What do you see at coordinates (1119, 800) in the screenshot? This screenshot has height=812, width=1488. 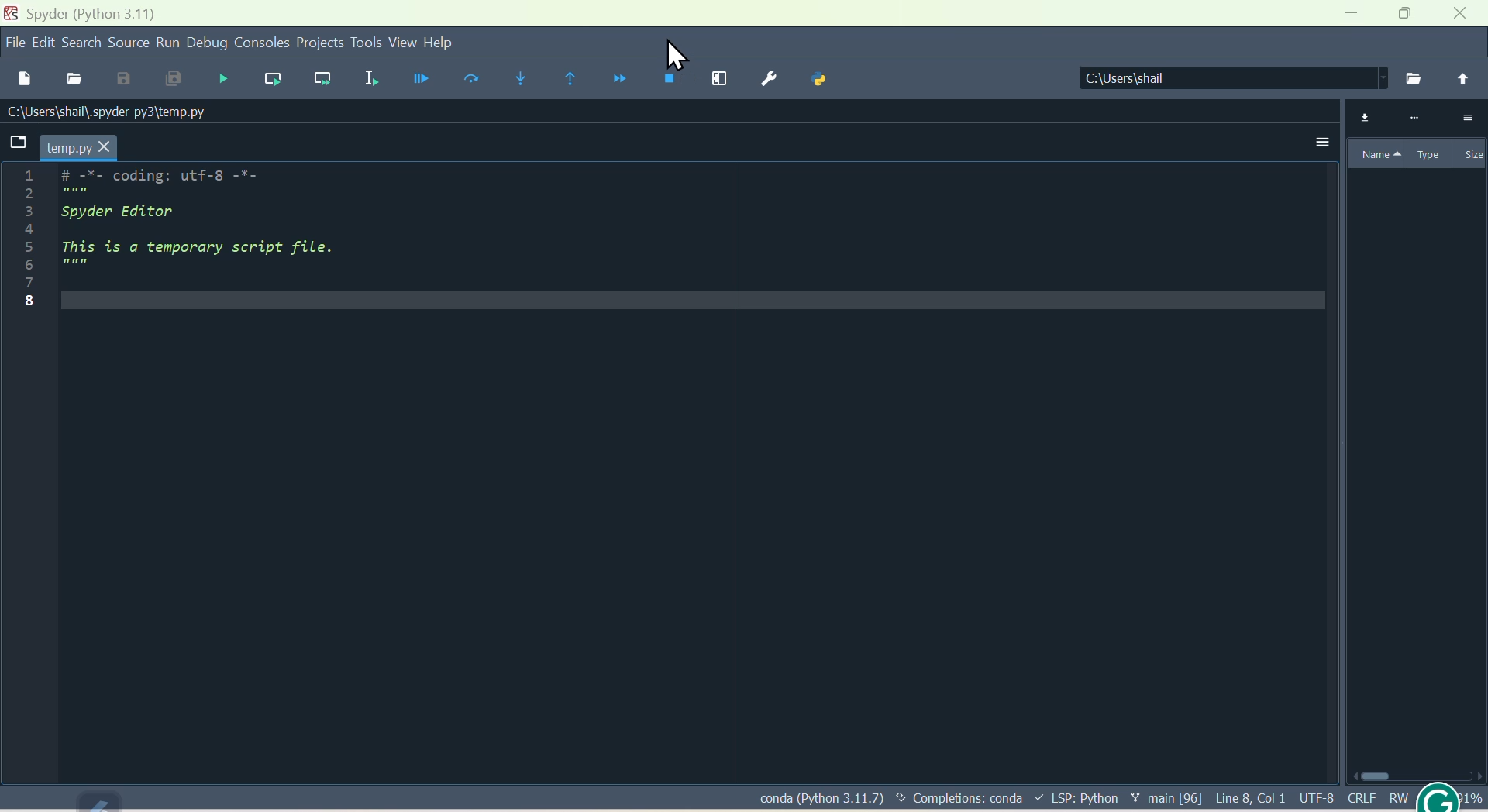 I see `Text - conda (Python 3.11.7) Completions: conda LSP: Python main [96] Line 8, Col 1 UTF-8 CRLF RW Mem 91%` at bounding box center [1119, 800].